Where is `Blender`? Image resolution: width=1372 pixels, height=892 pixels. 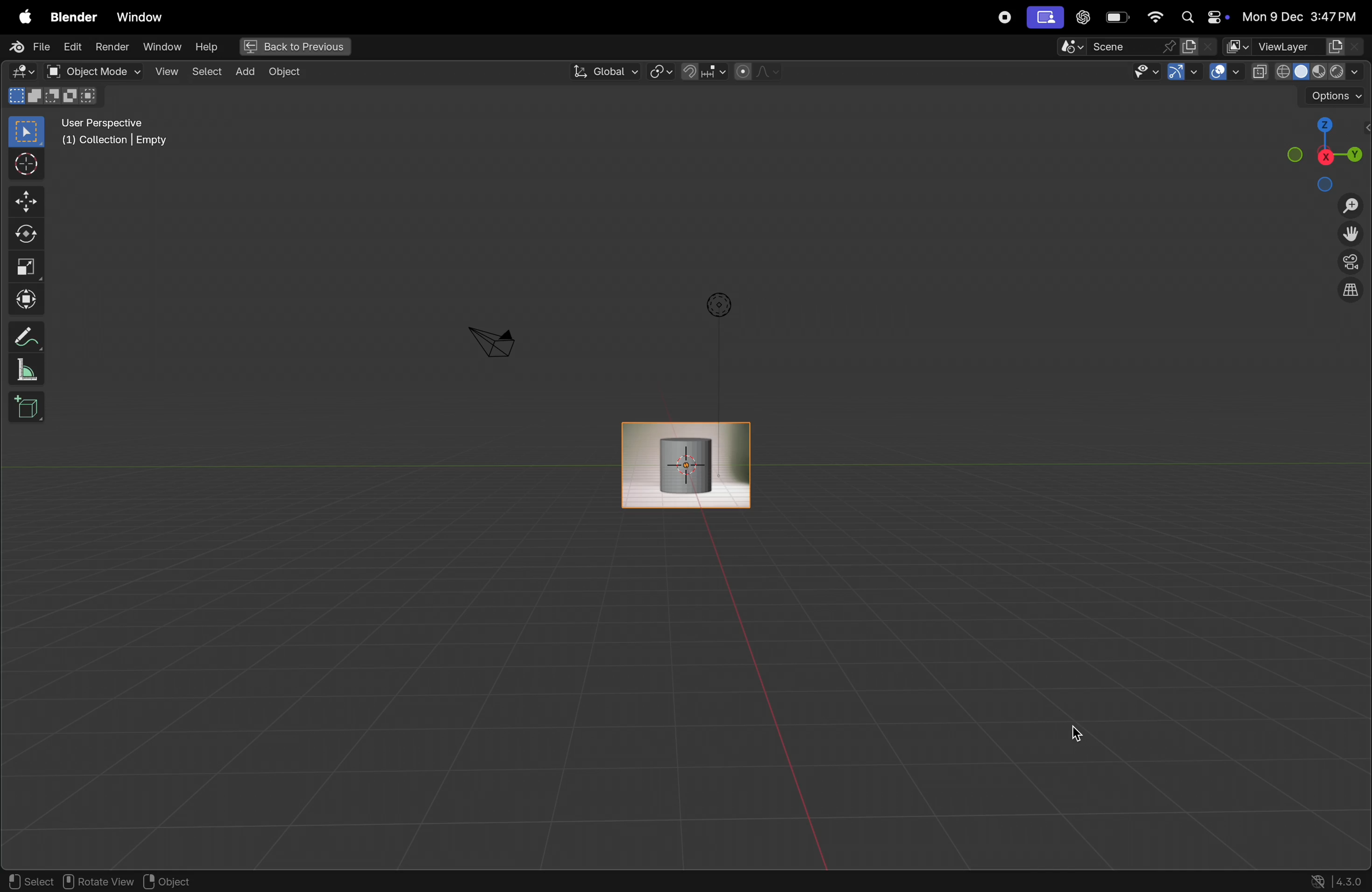 Blender is located at coordinates (70, 14).